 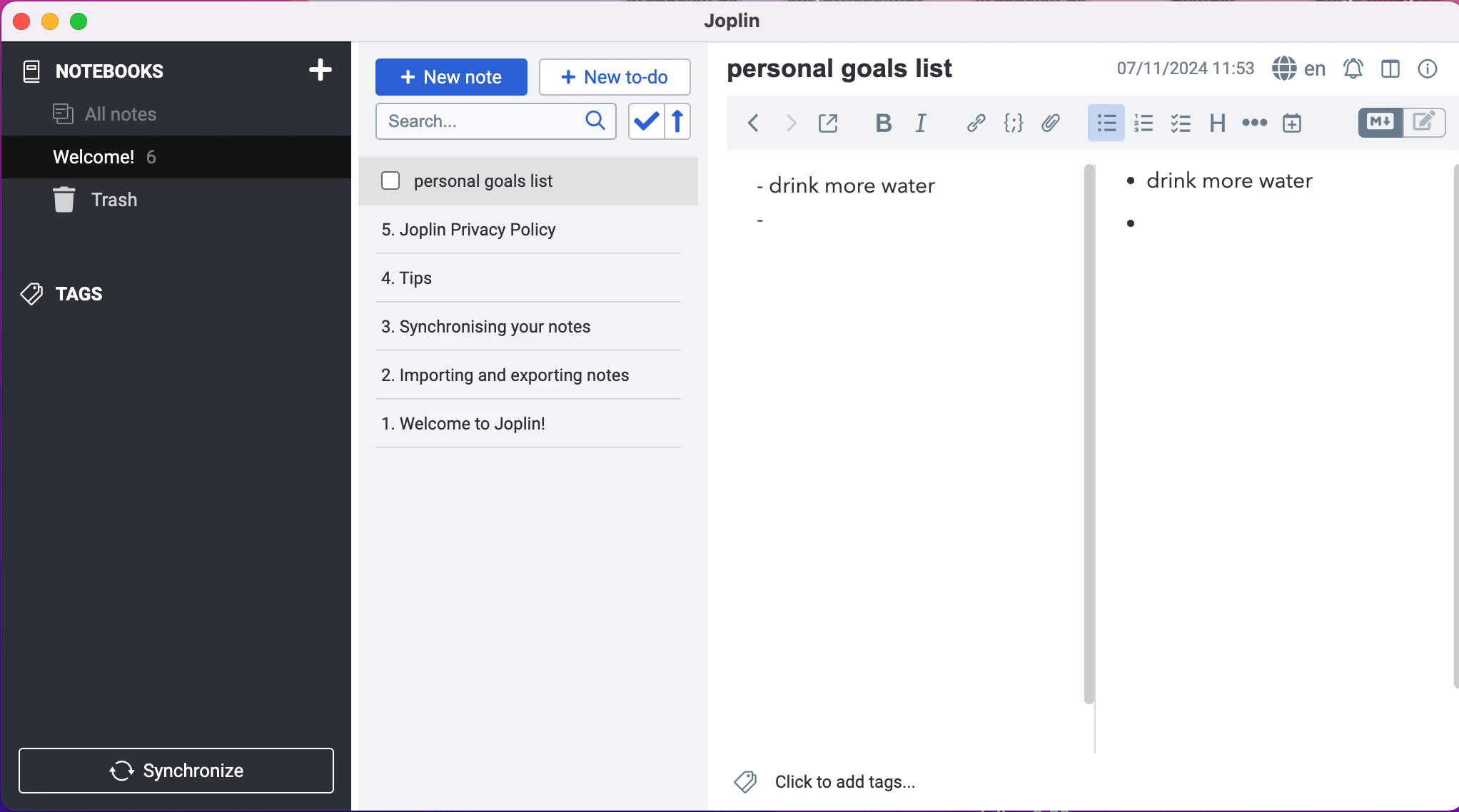 What do you see at coordinates (1089, 214) in the screenshot?
I see `vertical slider` at bounding box center [1089, 214].